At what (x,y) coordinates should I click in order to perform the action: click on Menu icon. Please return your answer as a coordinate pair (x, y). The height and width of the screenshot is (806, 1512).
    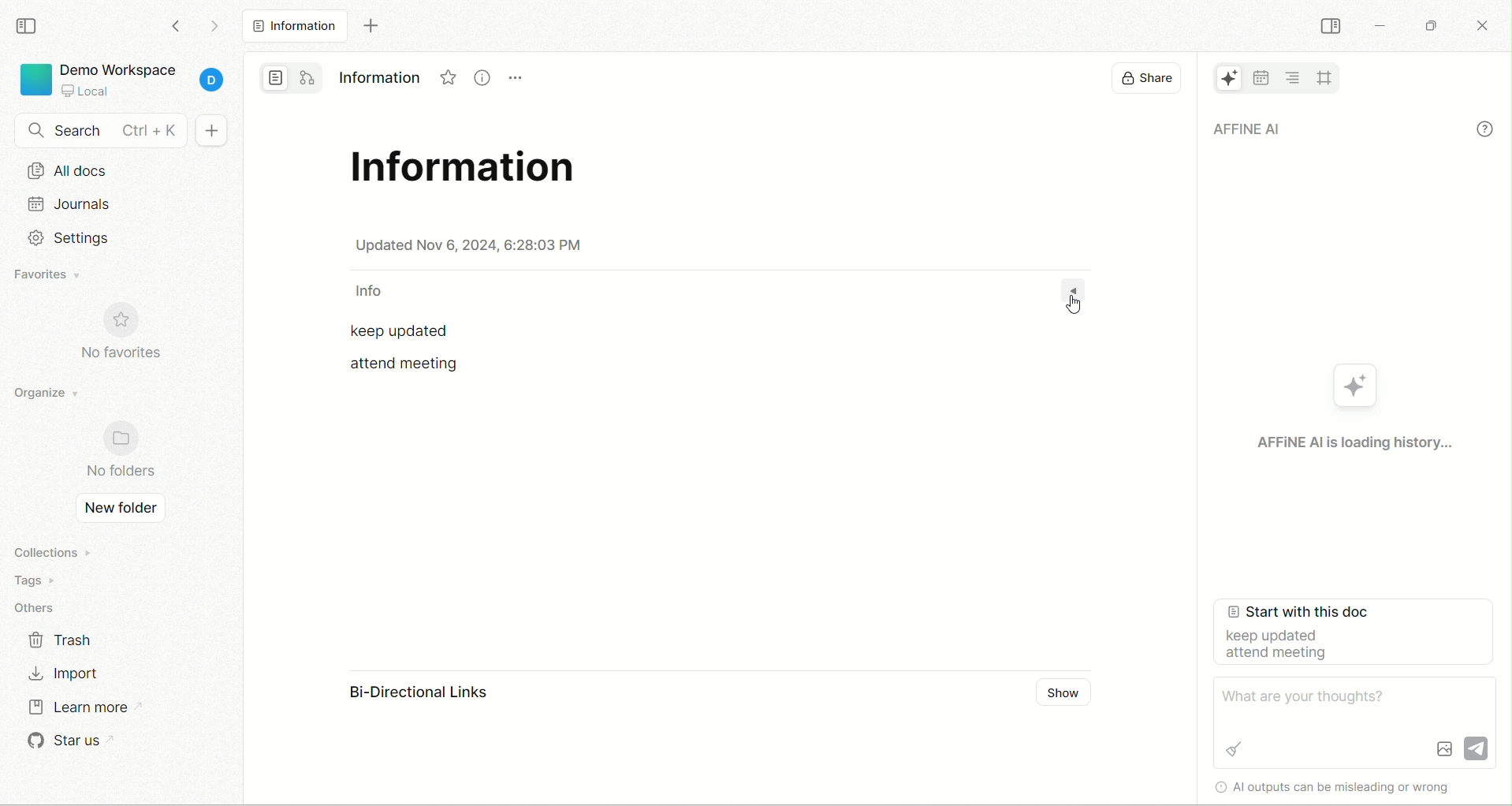
    Looking at the image, I should click on (522, 79).